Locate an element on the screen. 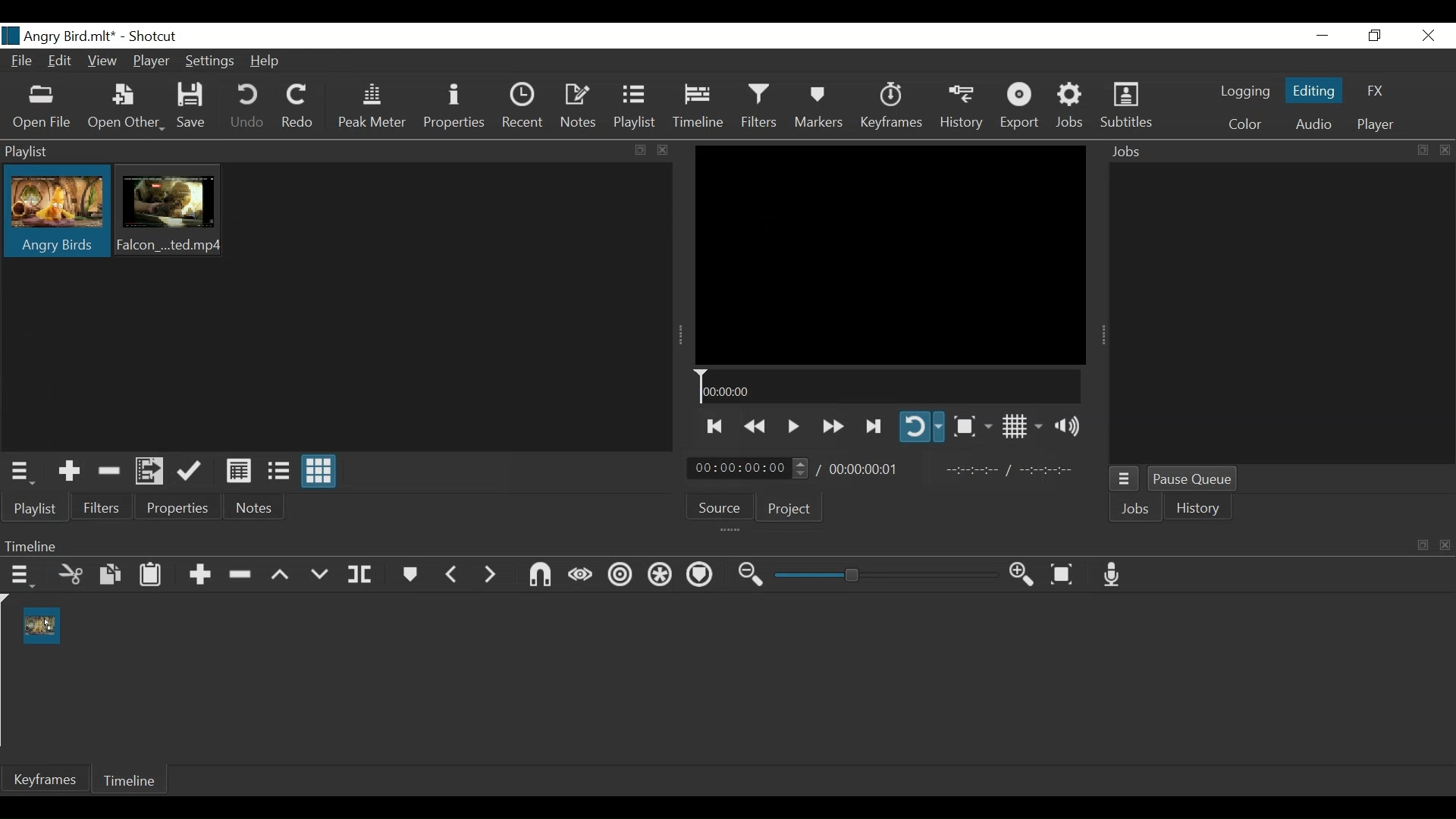 This screenshot has width=1456, height=819. Add the Source to the playlist is located at coordinates (67, 471).